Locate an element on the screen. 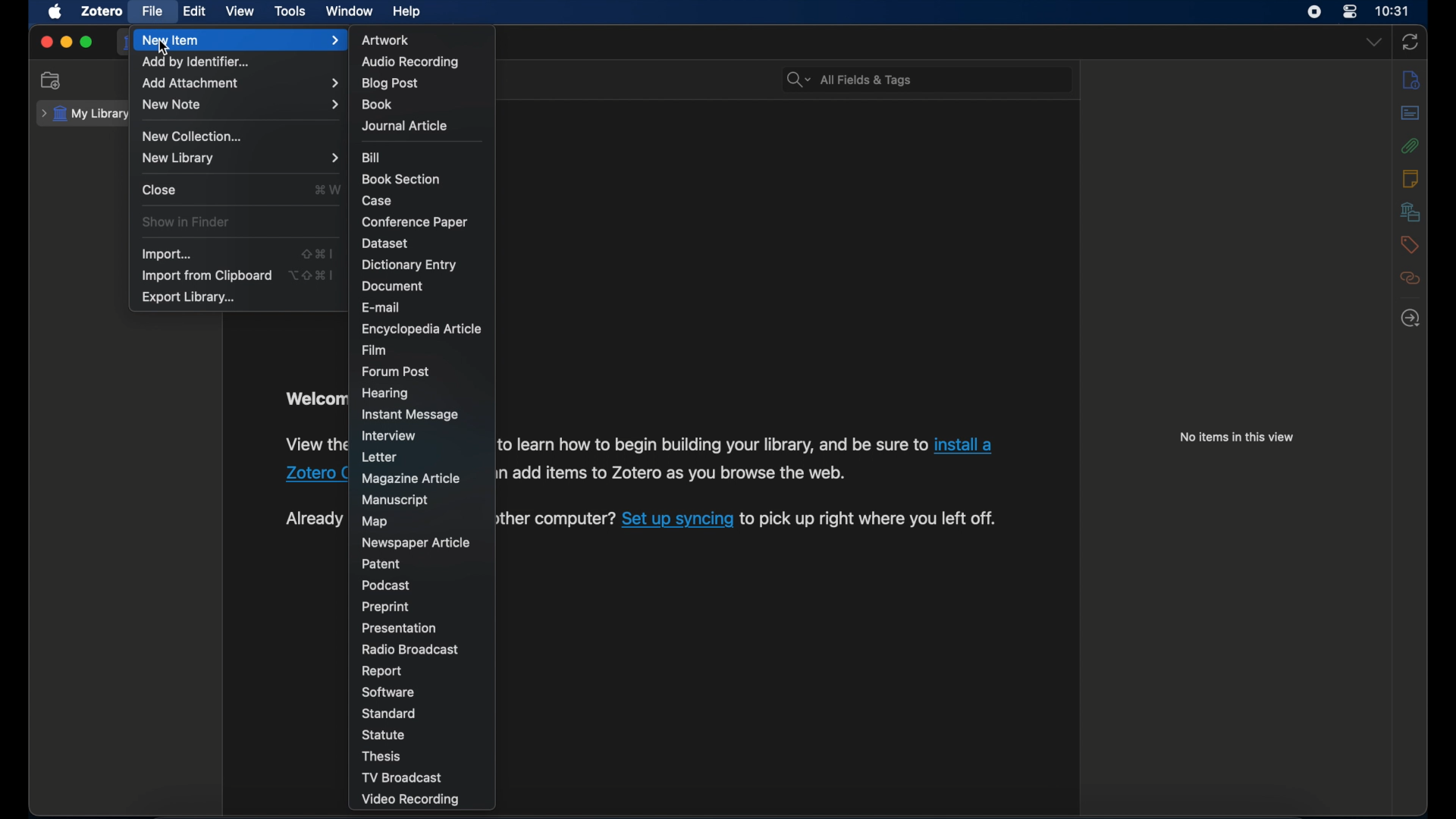 The image size is (1456, 819). interview is located at coordinates (388, 436).